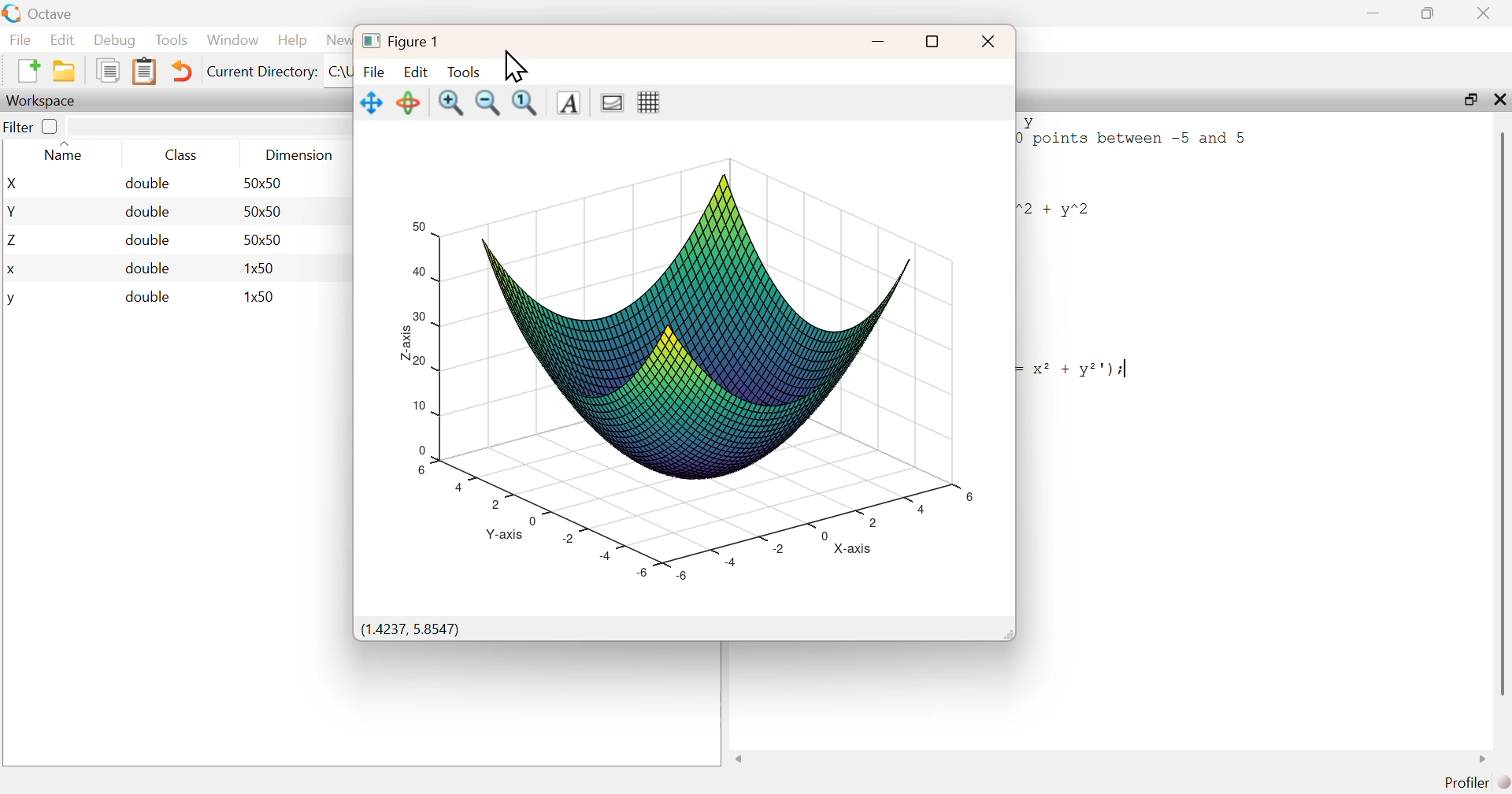 The width and height of the screenshot is (1512, 794). Describe the element at coordinates (263, 210) in the screenshot. I see `50x50` at that location.